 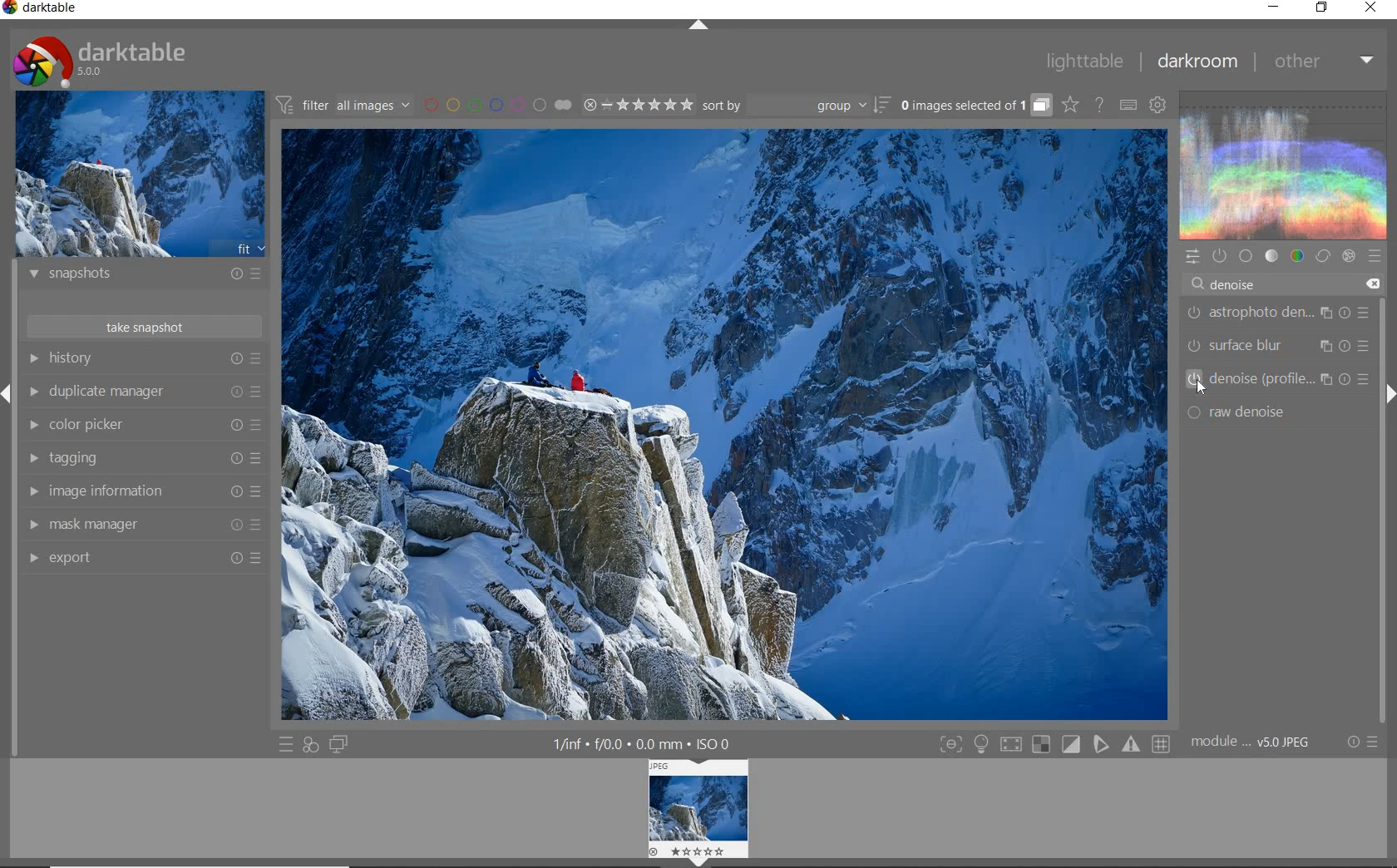 What do you see at coordinates (498, 104) in the screenshot?
I see `filter images by color labels` at bounding box center [498, 104].